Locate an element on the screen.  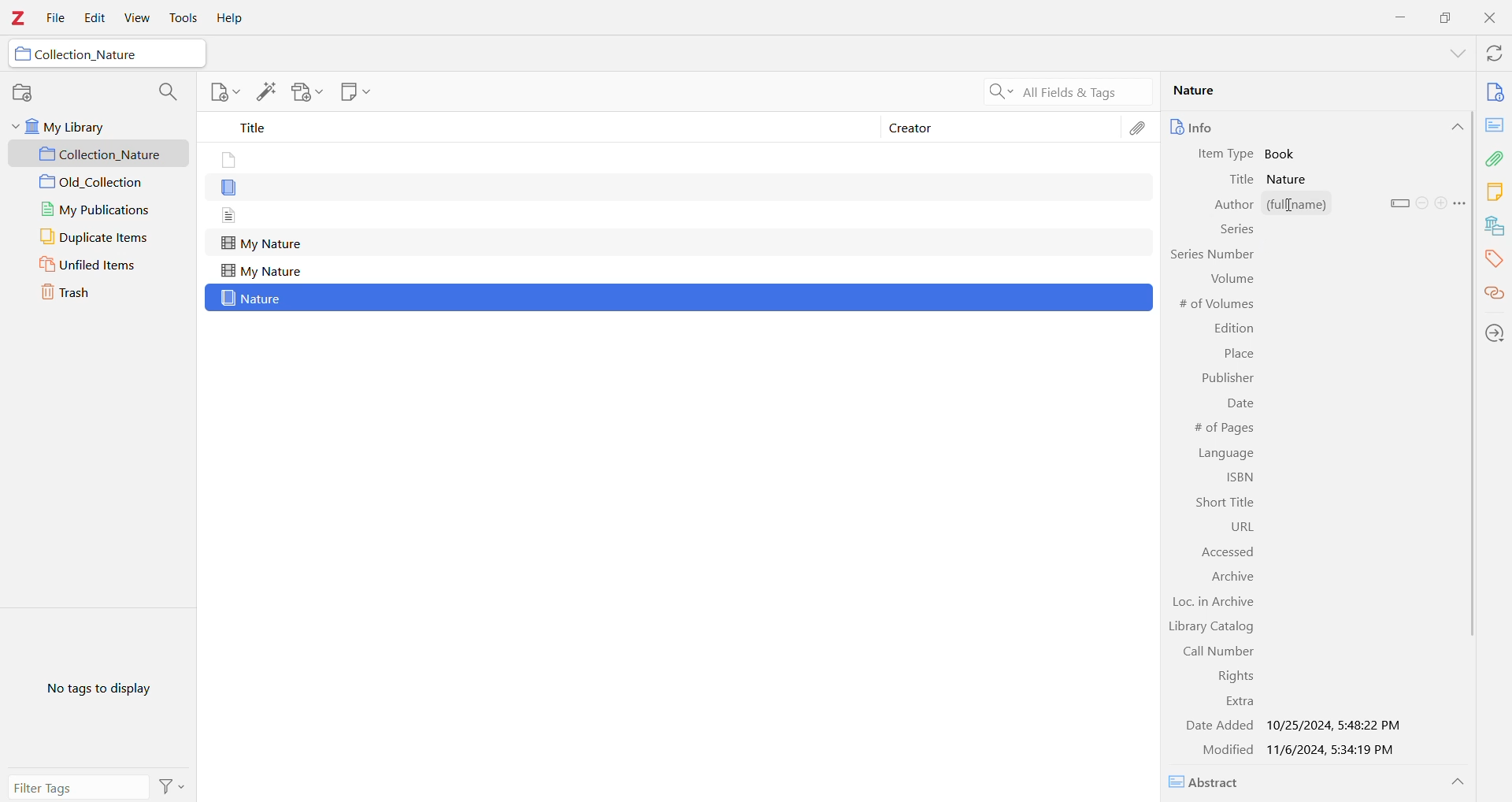
Nature is located at coordinates (1291, 180).